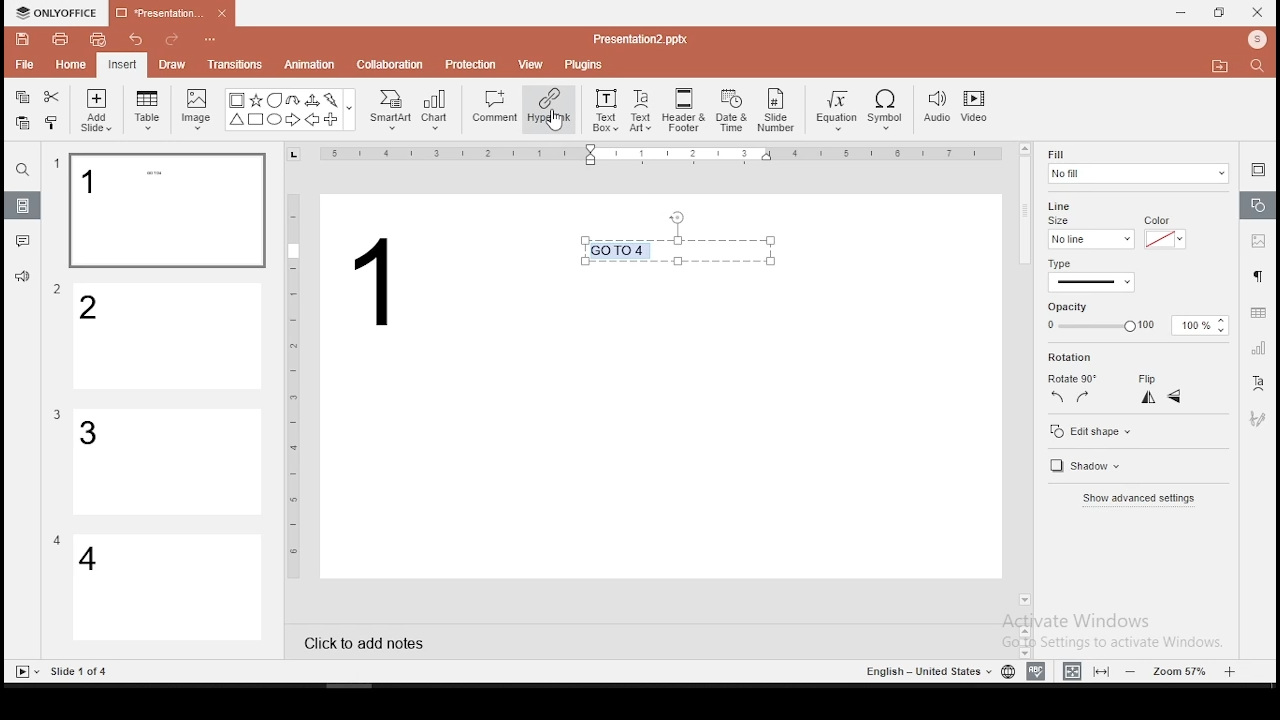 This screenshot has height=720, width=1280. I want to click on table, so click(148, 110).